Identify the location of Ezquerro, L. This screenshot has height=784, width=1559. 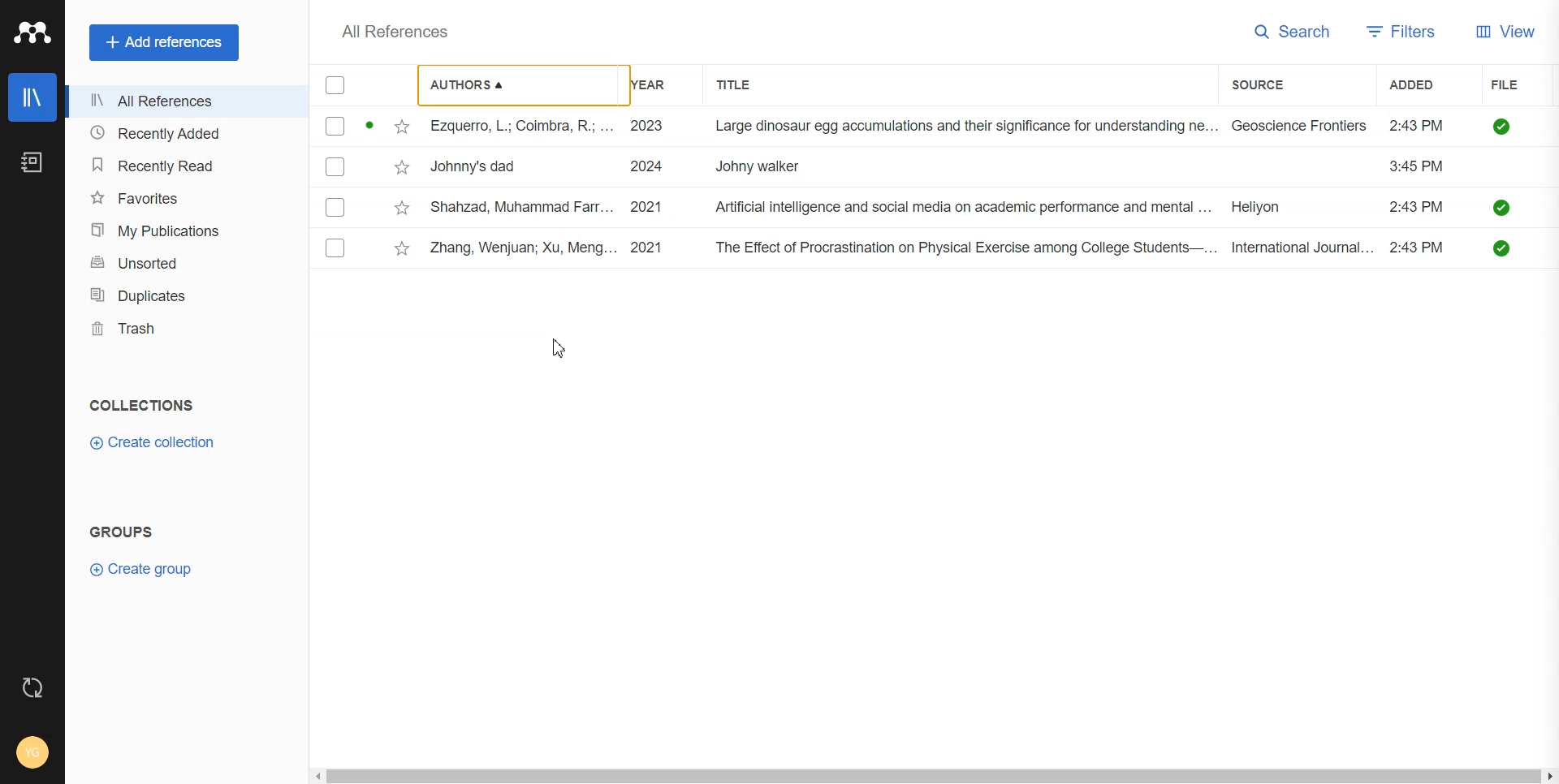
(517, 127).